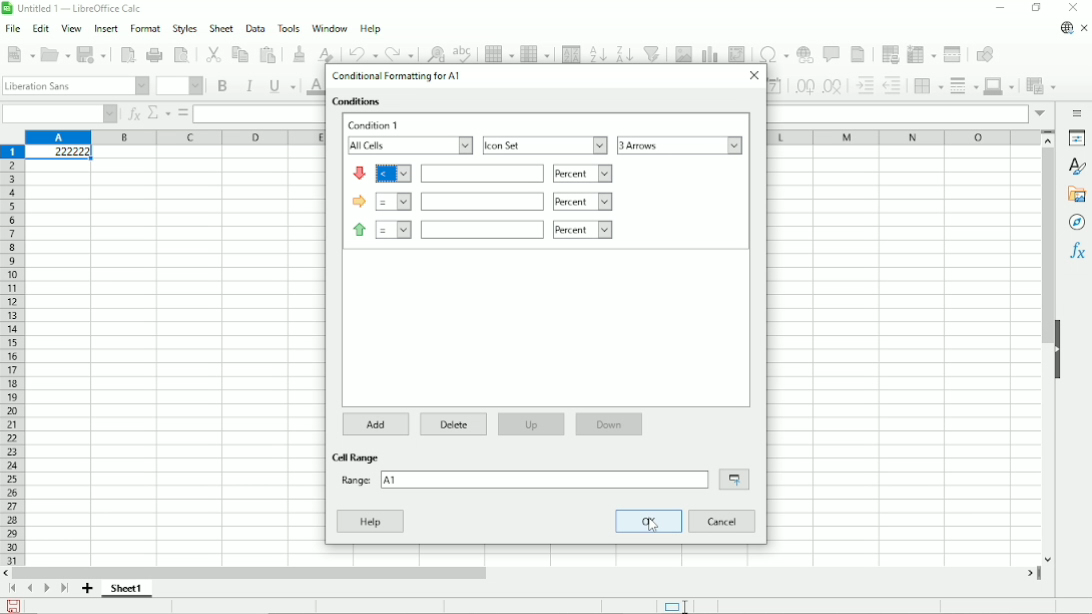  I want to click on Scroll to last sheet, so click(64, 589).